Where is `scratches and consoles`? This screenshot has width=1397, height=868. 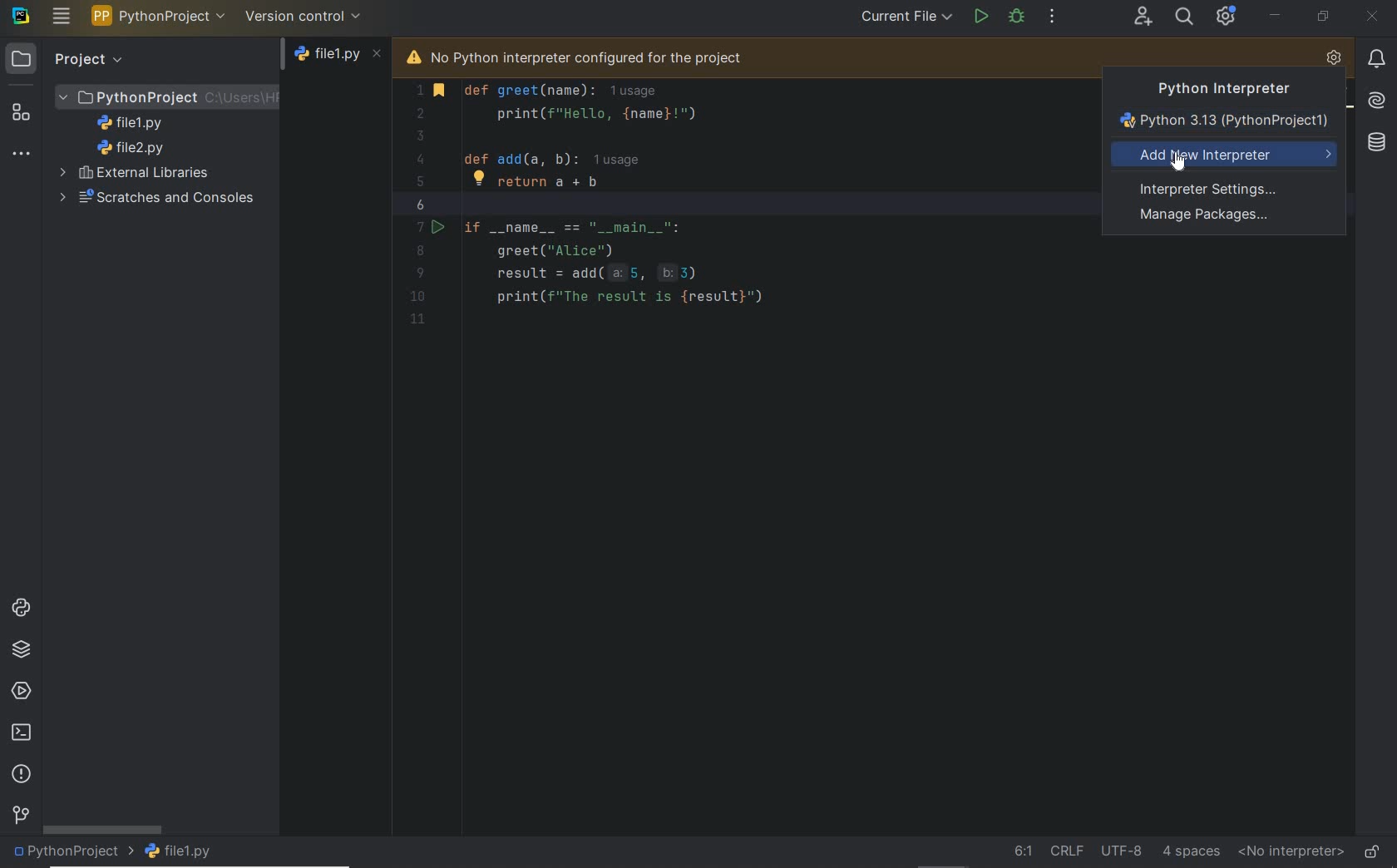
scratches and consoles is located at coordinates (152, 199).